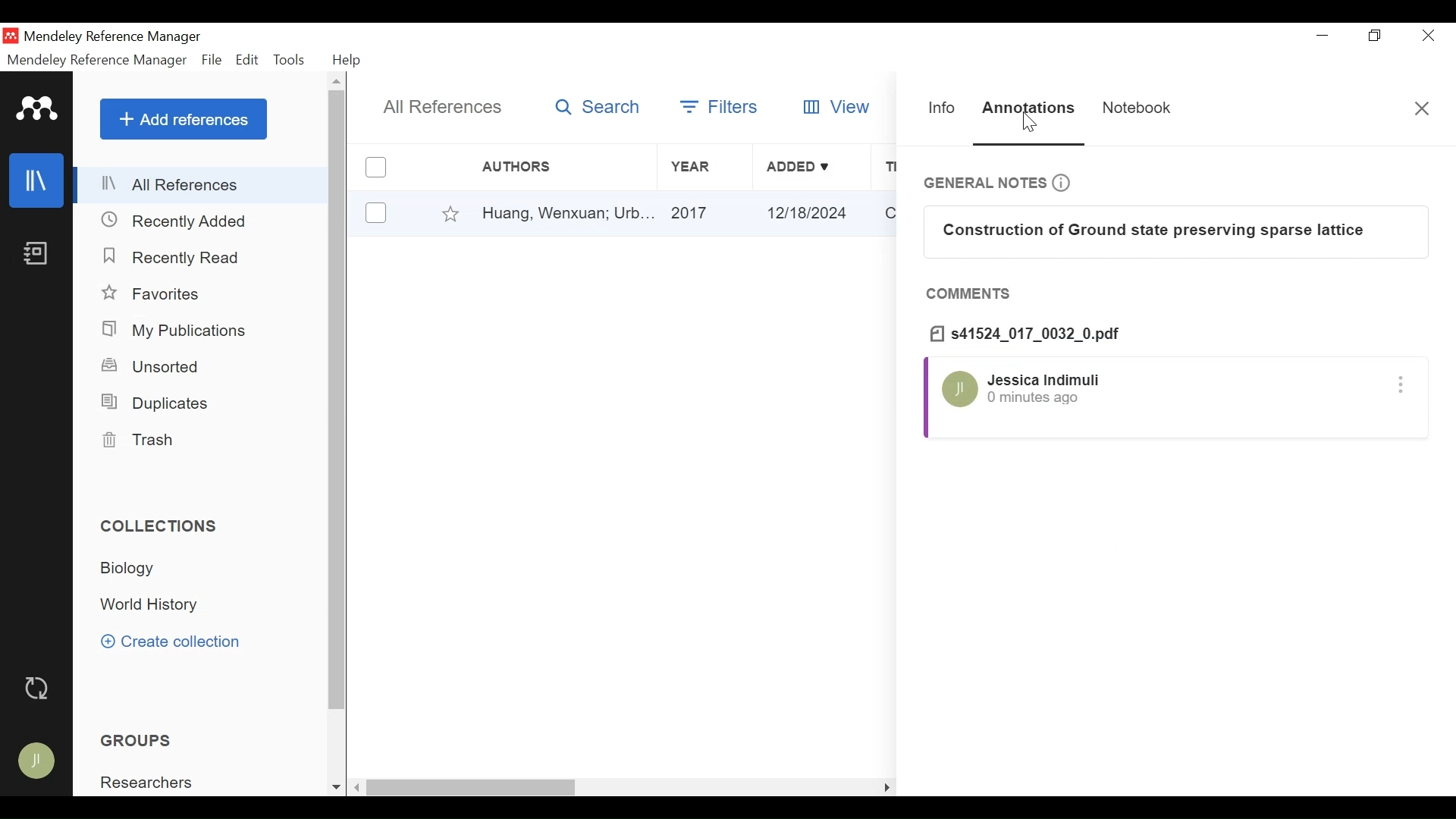 The height and width of the screenshot is (819, 1456). Describe the element at coordinates (158, 402) in the screenshot. I see `Duplicates` at that location.